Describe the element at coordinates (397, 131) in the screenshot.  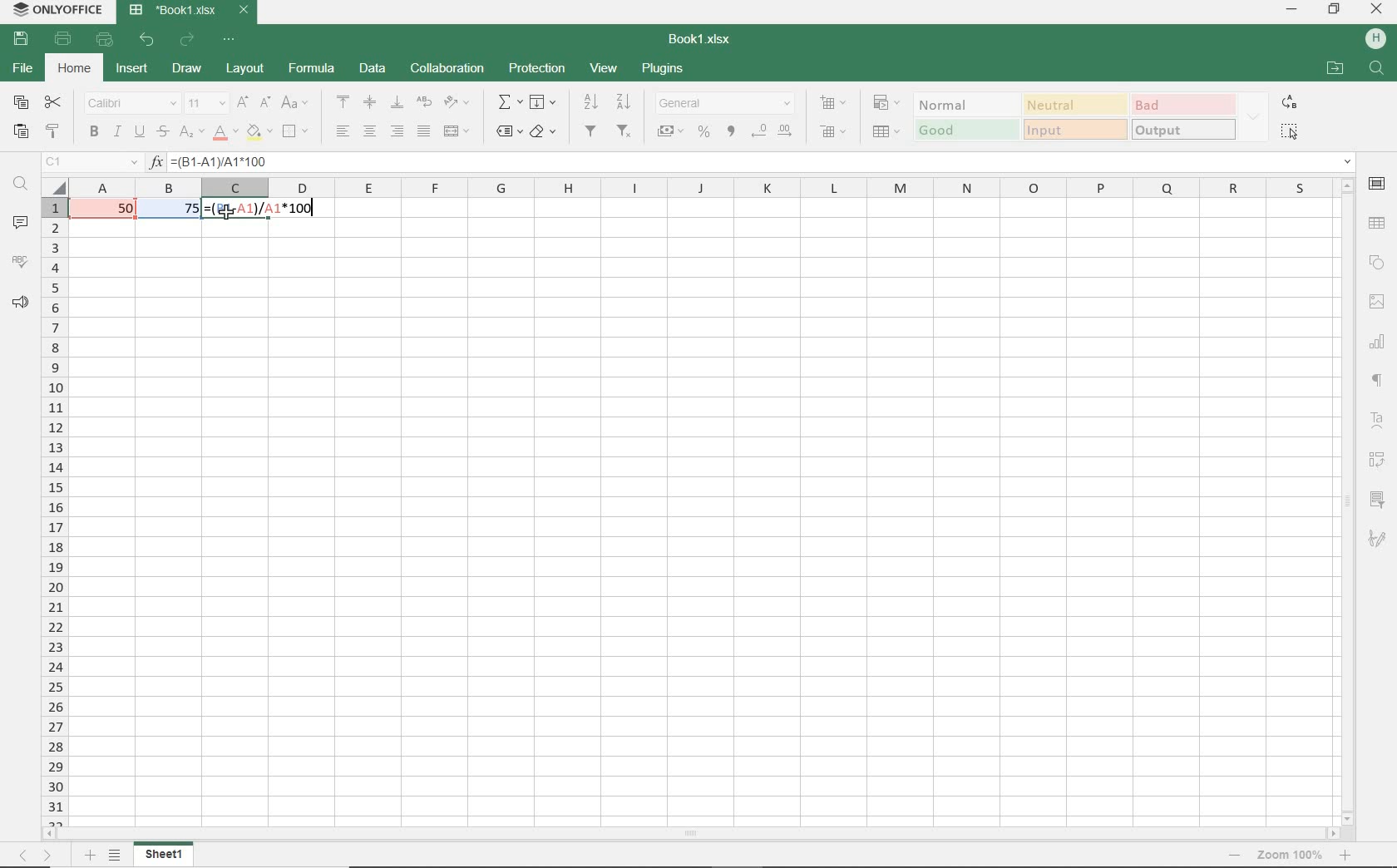
I see `align right` at that location.